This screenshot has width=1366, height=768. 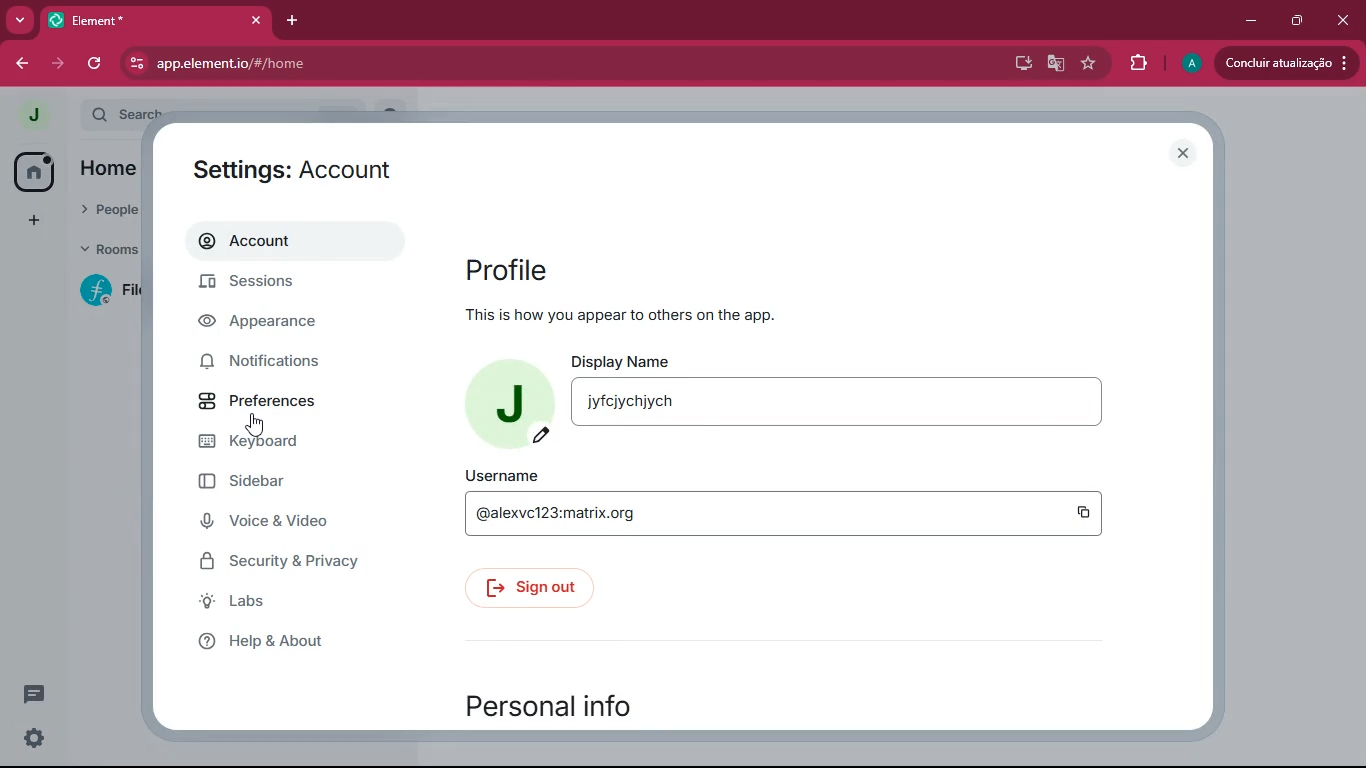 What do you see at coordinates (37, 739) in the screenshot?
I see `settings` at bounding box center [37, 739].